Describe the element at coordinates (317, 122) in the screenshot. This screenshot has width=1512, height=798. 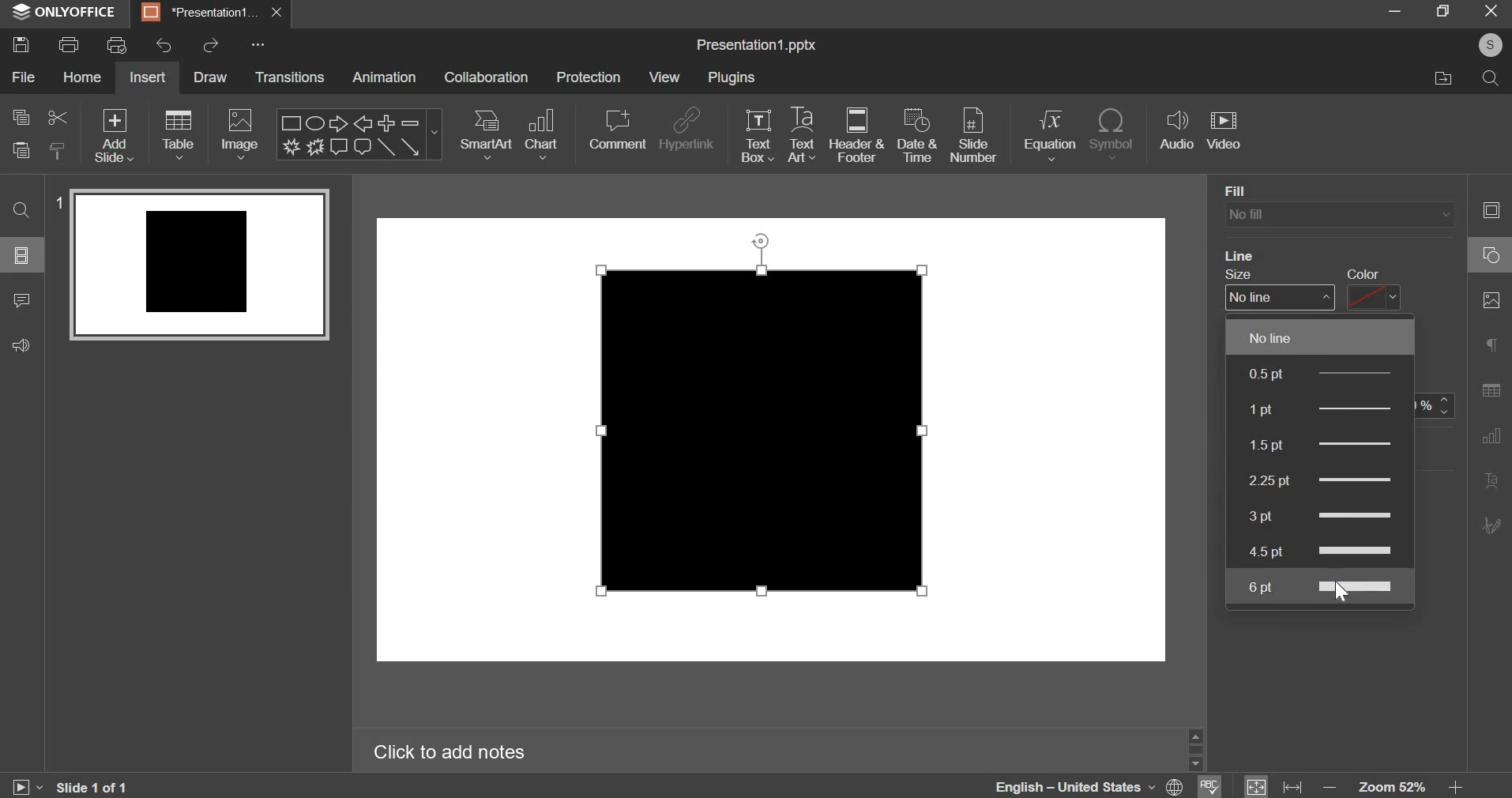
I see `Circles` at that location.